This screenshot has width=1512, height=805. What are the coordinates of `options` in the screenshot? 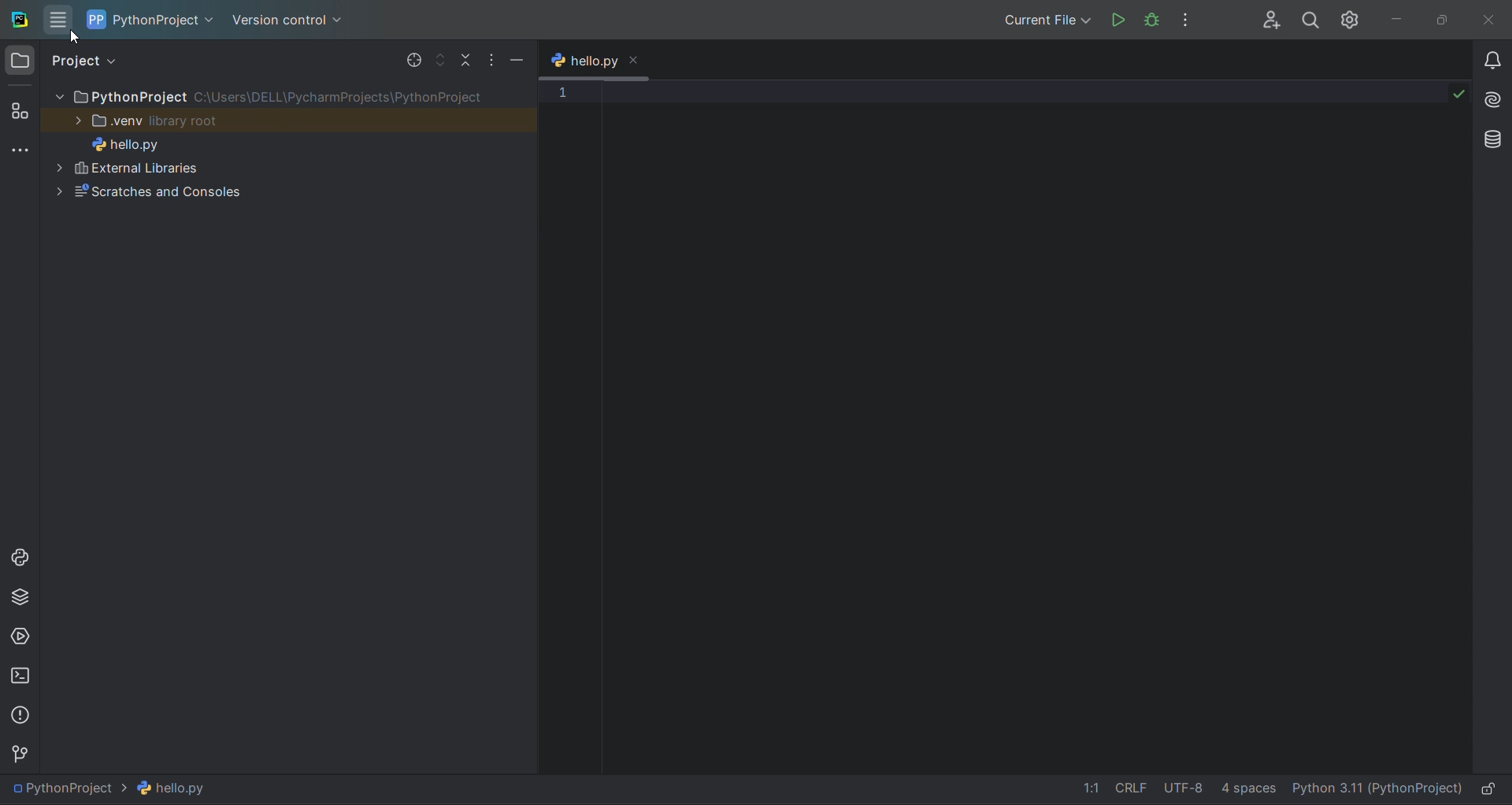 It's located at (1192, 20).